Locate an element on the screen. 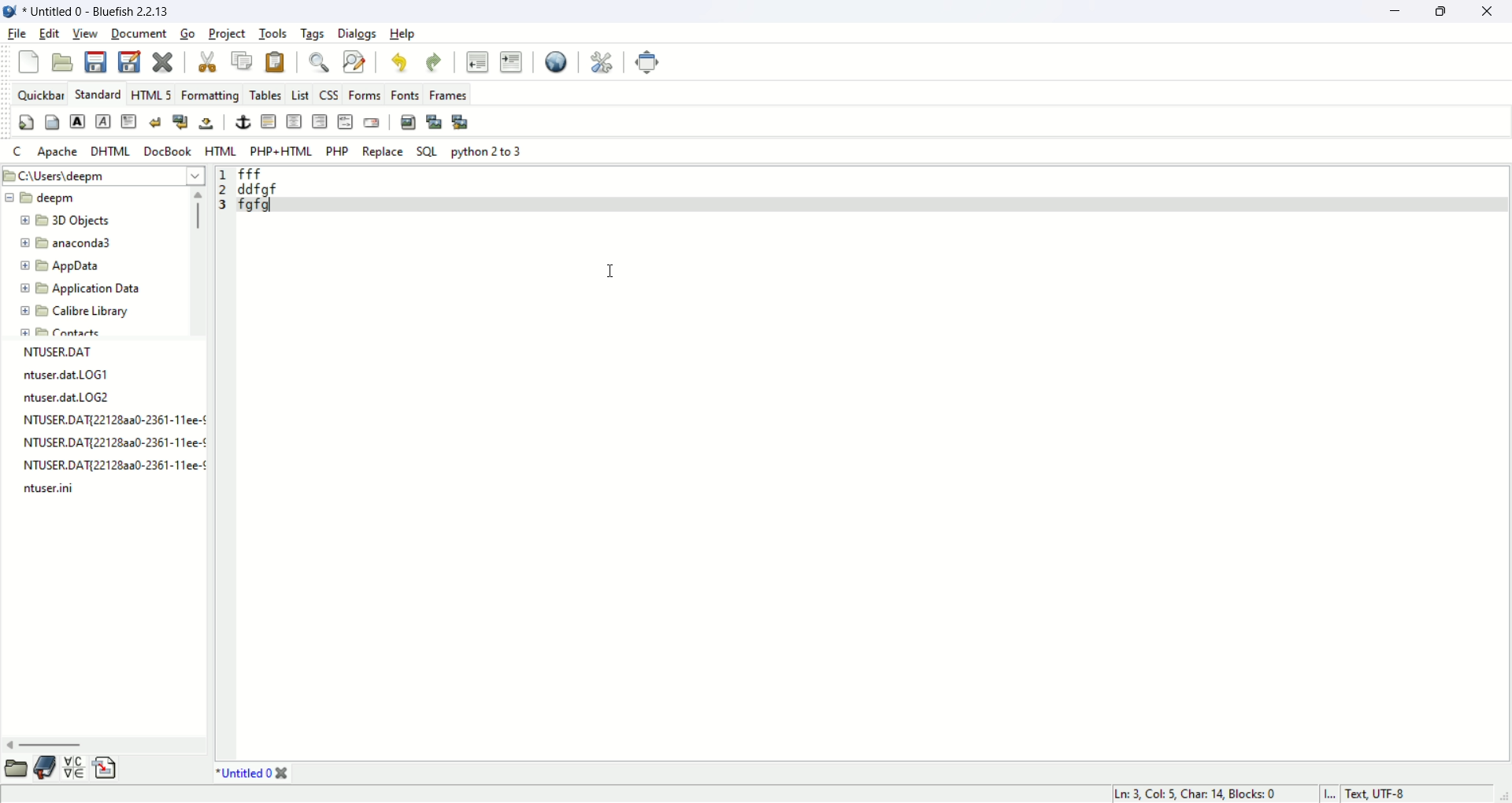  REPLACE is located at coordinates (384, 152).